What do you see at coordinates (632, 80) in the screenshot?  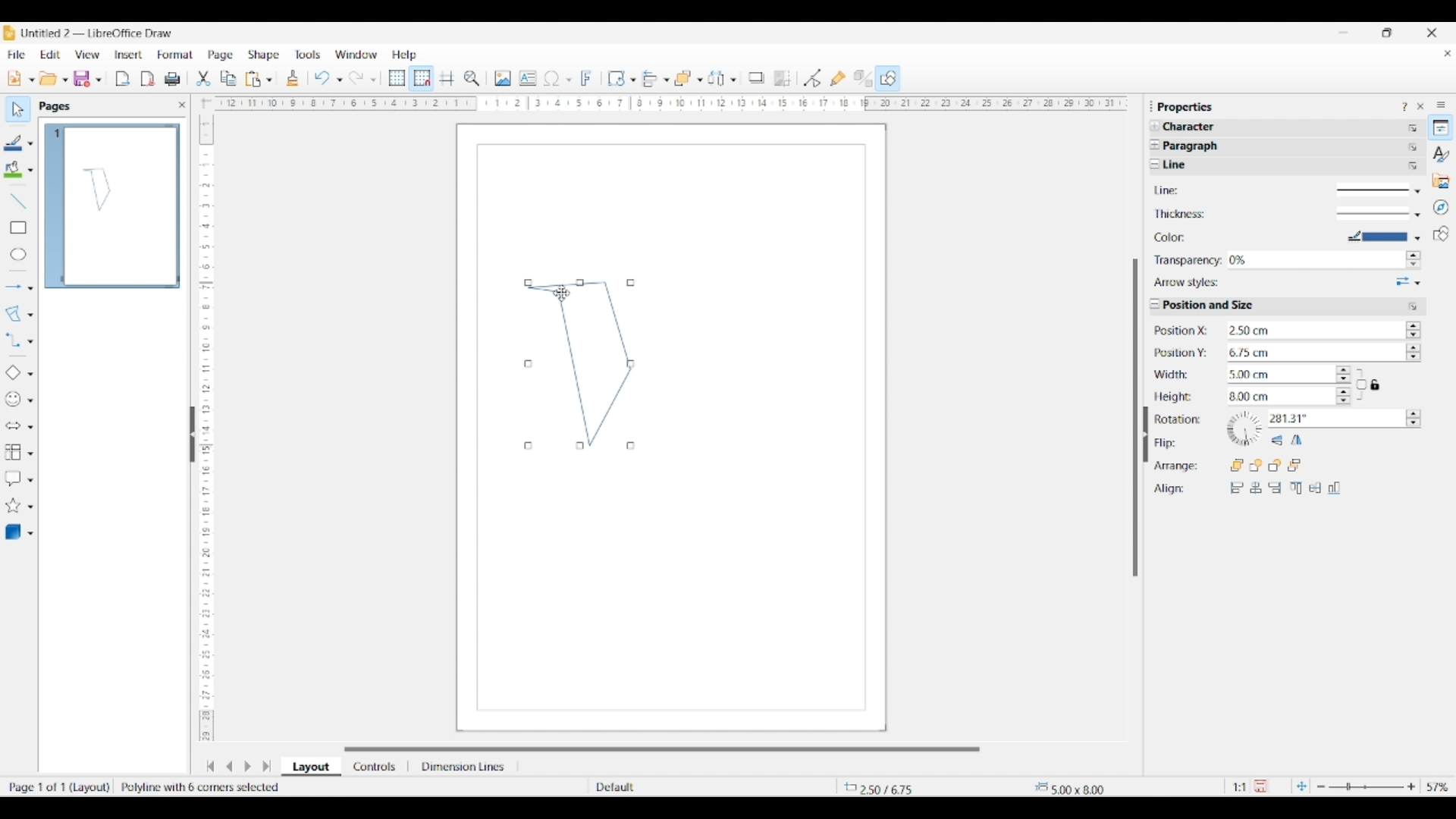 I see `Transformations option` at bounding box center [632, 80].